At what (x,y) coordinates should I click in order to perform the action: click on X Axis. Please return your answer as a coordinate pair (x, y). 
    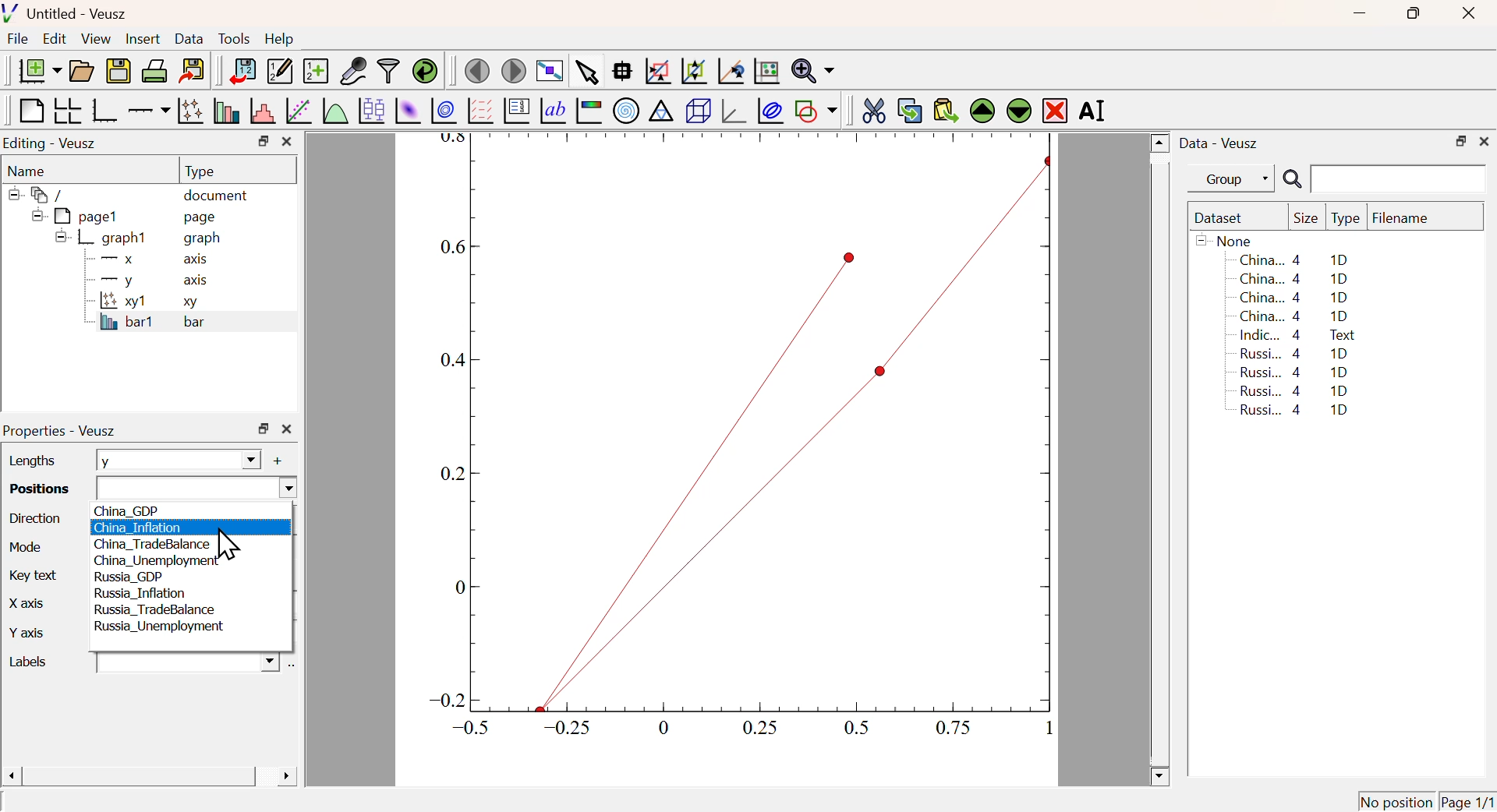
    Looking at the image, I should click on (39, 607).